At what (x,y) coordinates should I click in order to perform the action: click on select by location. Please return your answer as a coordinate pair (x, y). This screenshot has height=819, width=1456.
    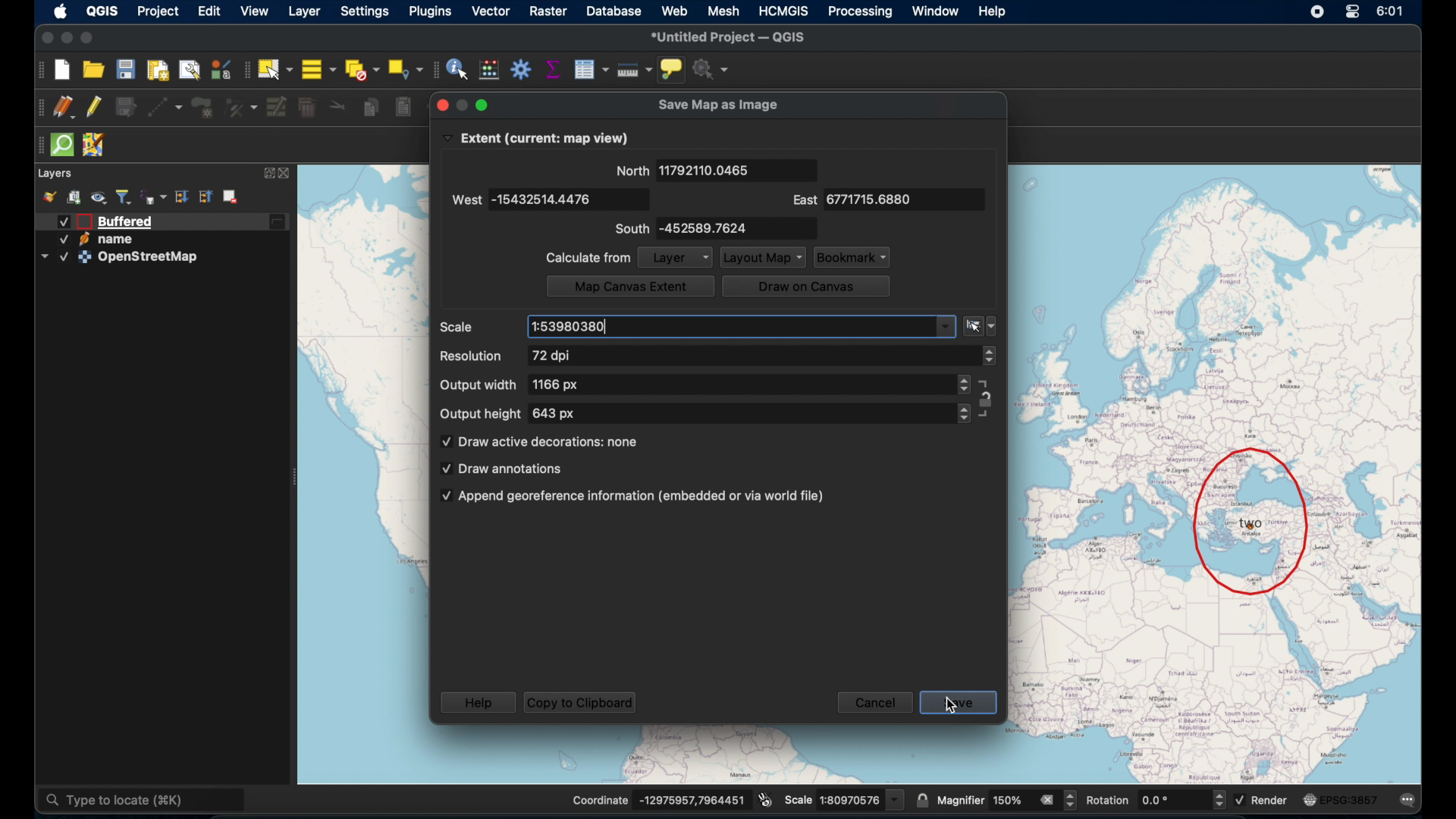
    Looking at the image, I should click on (406, 68).